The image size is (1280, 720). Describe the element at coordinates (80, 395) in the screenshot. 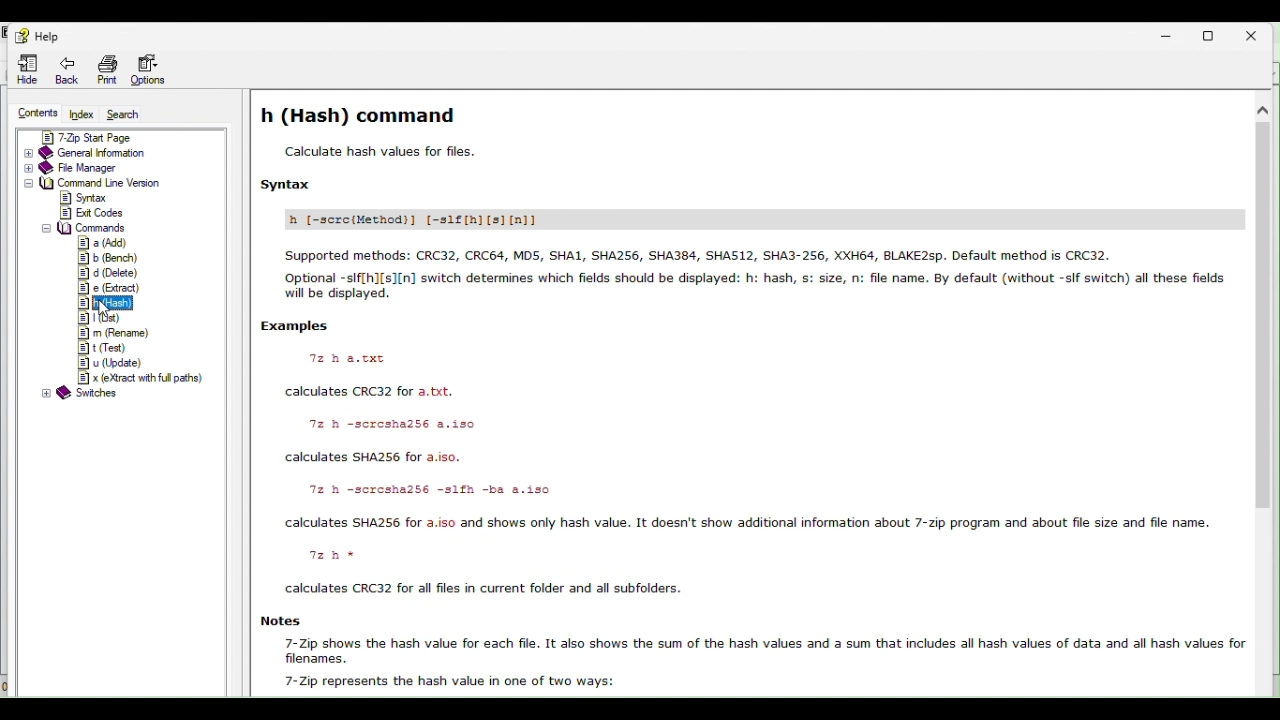

I see `switches` at that location.